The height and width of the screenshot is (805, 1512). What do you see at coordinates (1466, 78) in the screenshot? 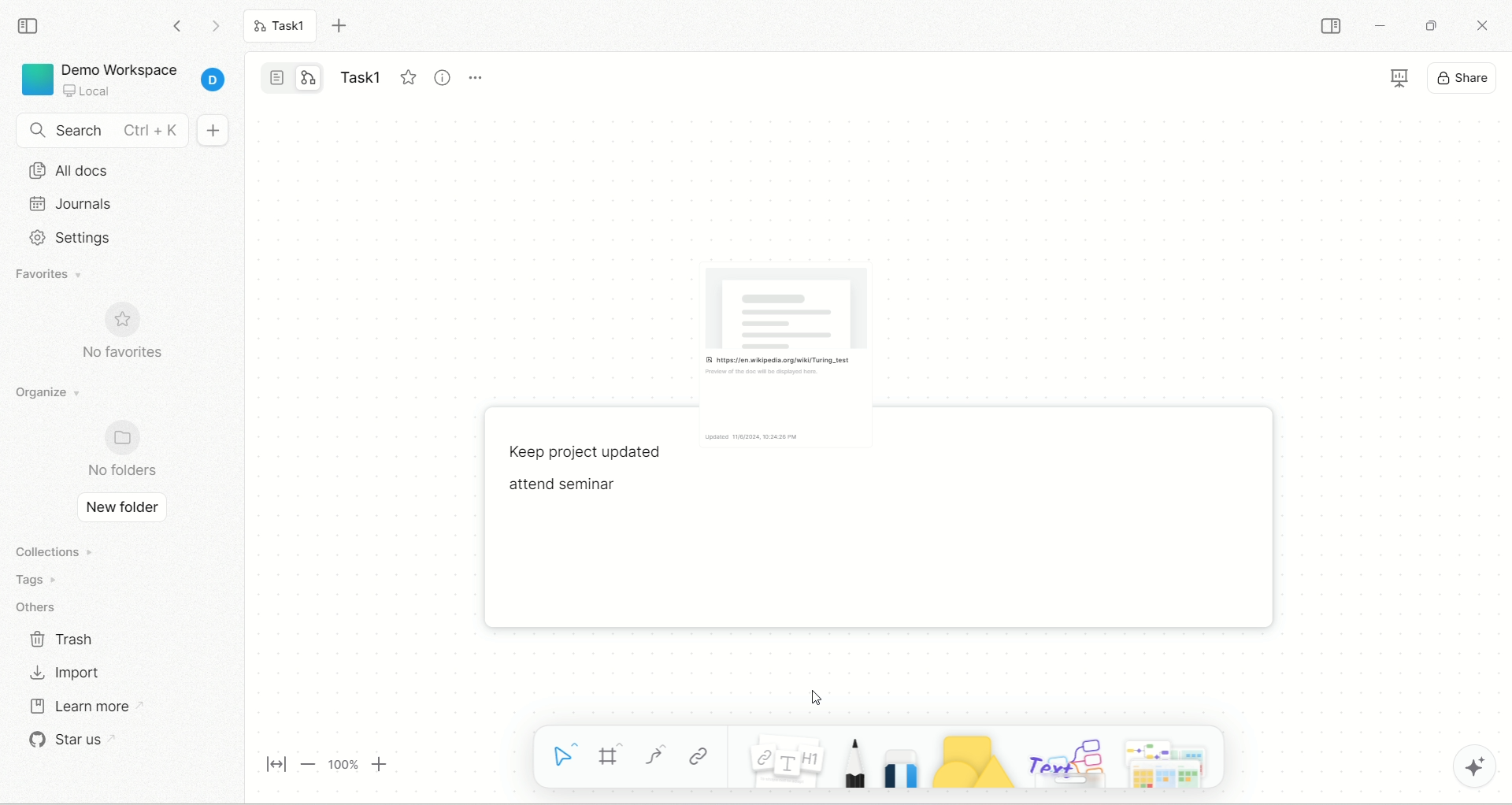
I see `share` at bounding box center [1466, 78].